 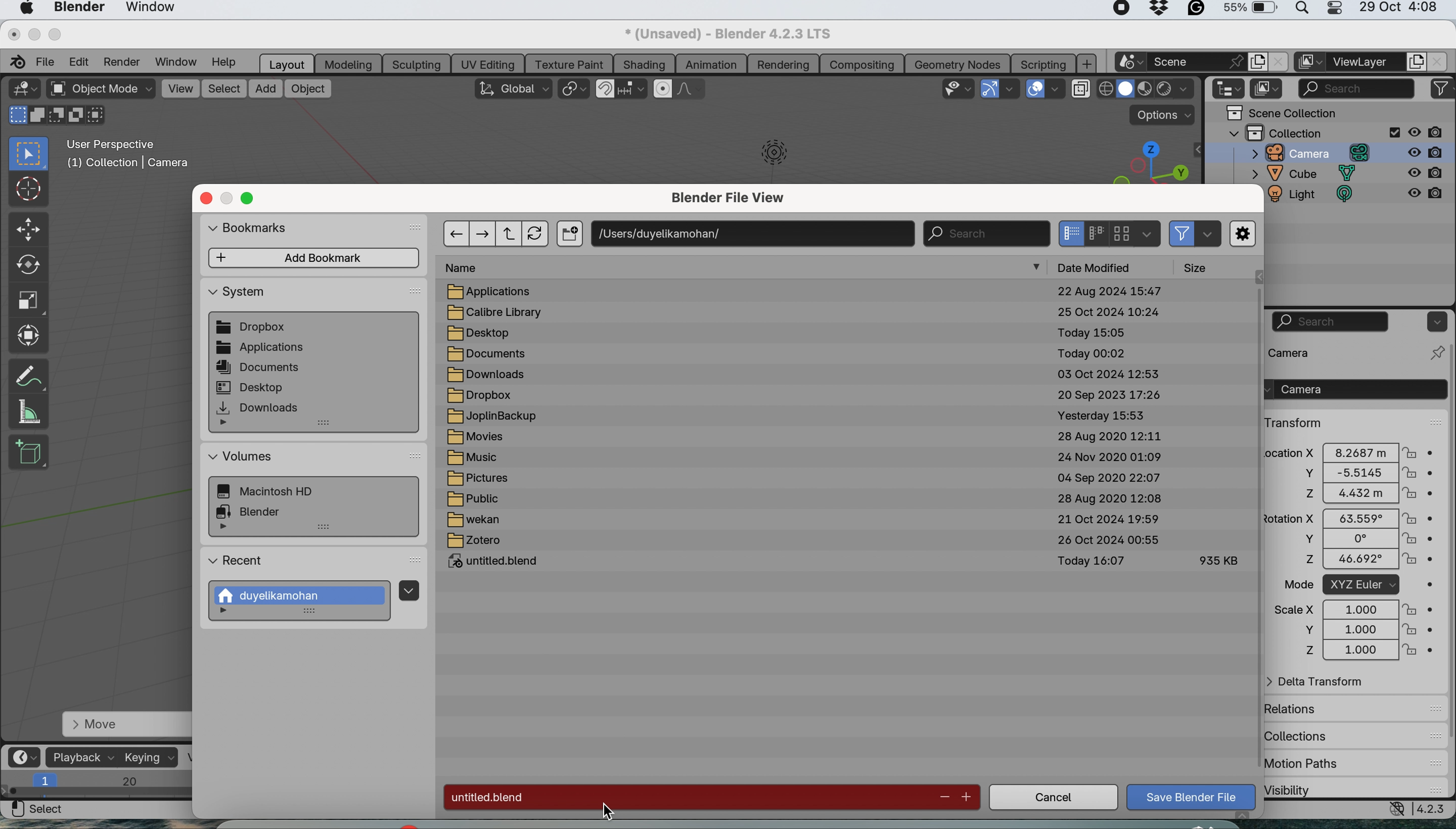 What do you see at coordinates (26, 9) in the screenshot?
I see `system logo` at bounding box center [26, 9].